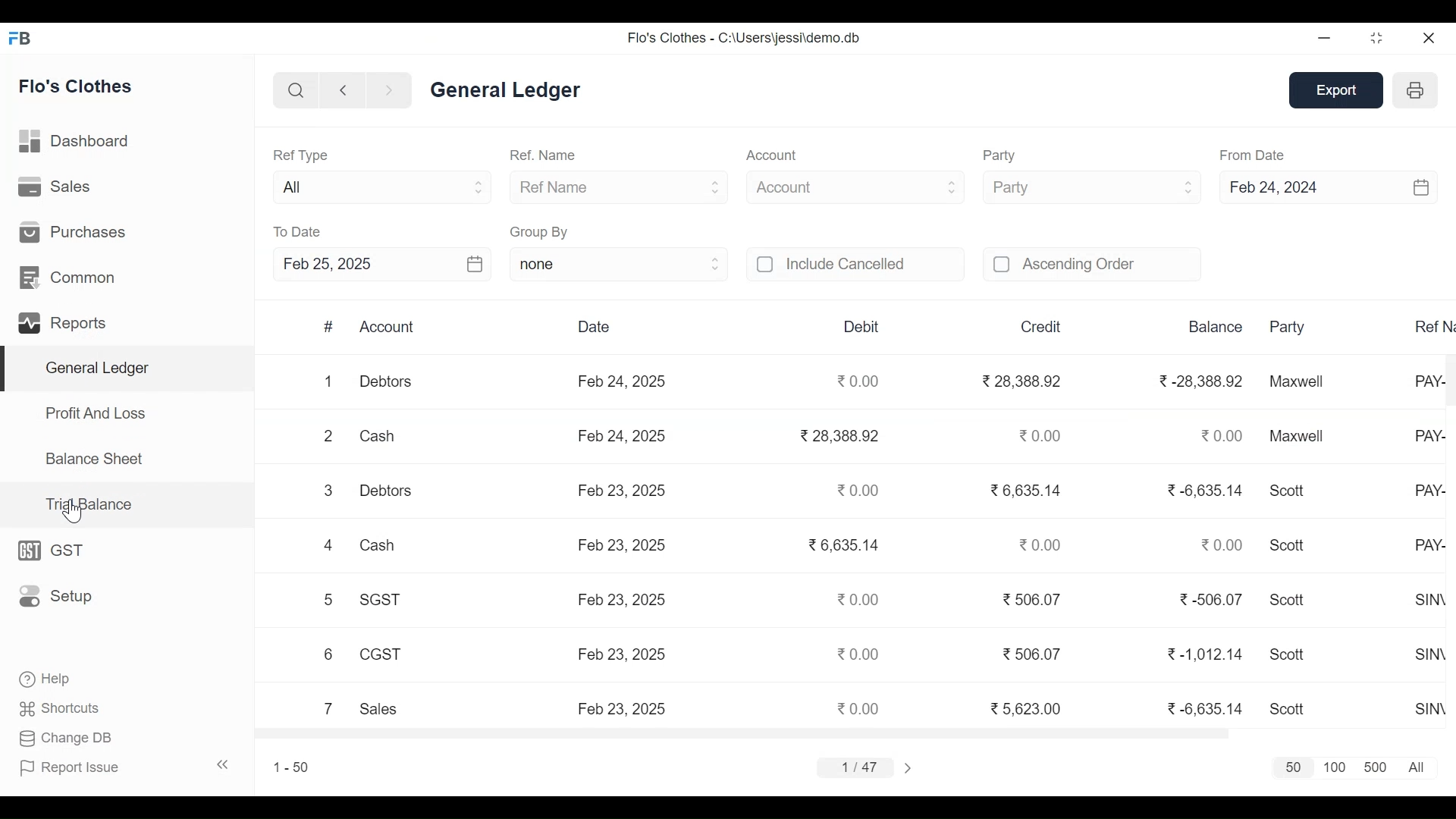 This screenshot has width=1456, height=819. What do you see at coordinates (74, 513) in the screenshot?
I see `cursor` at bounding box center [74, 513].